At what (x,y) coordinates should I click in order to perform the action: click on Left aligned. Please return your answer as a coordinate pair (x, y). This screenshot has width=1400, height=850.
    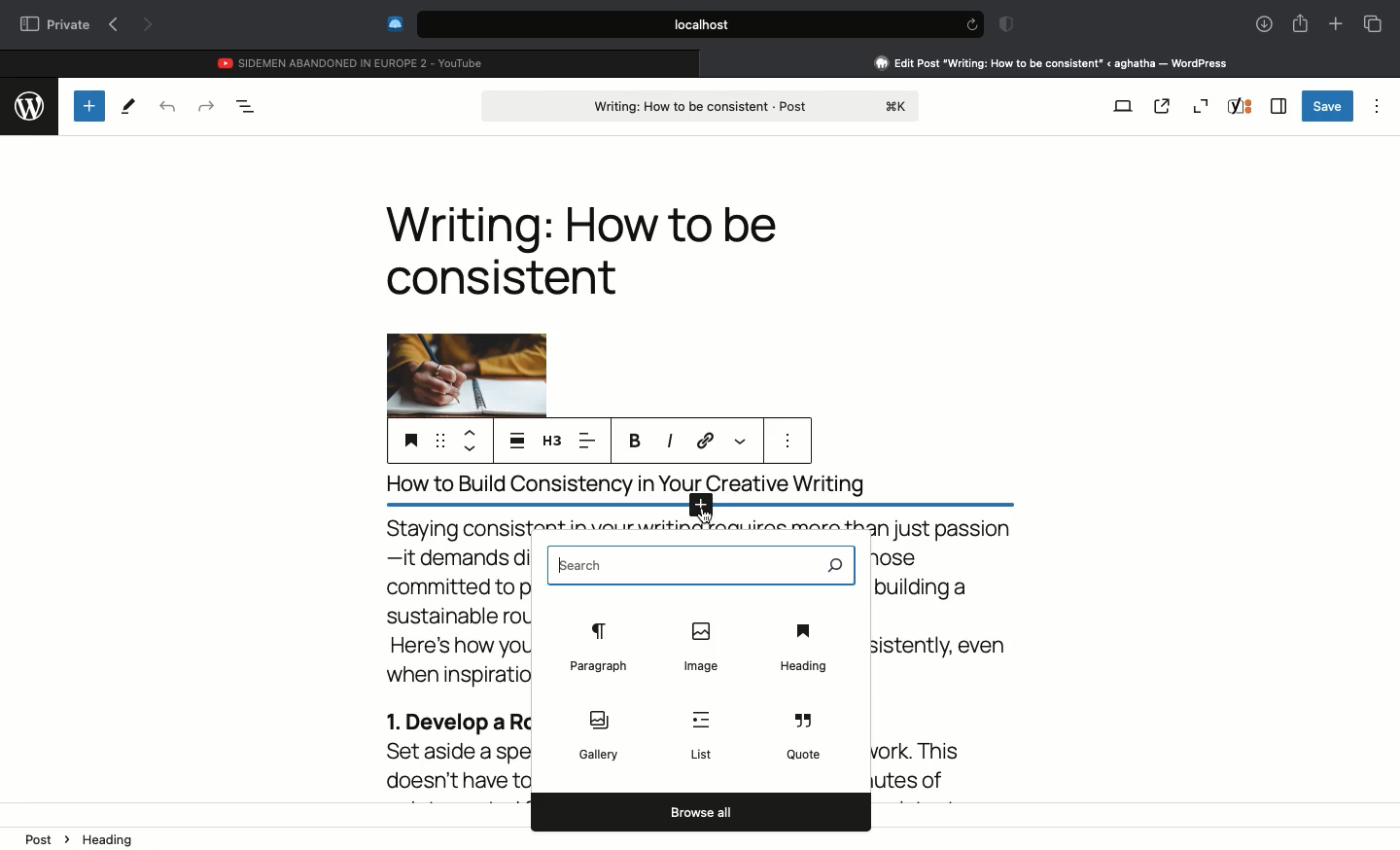
    Looking at the image, I should click on (586, 441).